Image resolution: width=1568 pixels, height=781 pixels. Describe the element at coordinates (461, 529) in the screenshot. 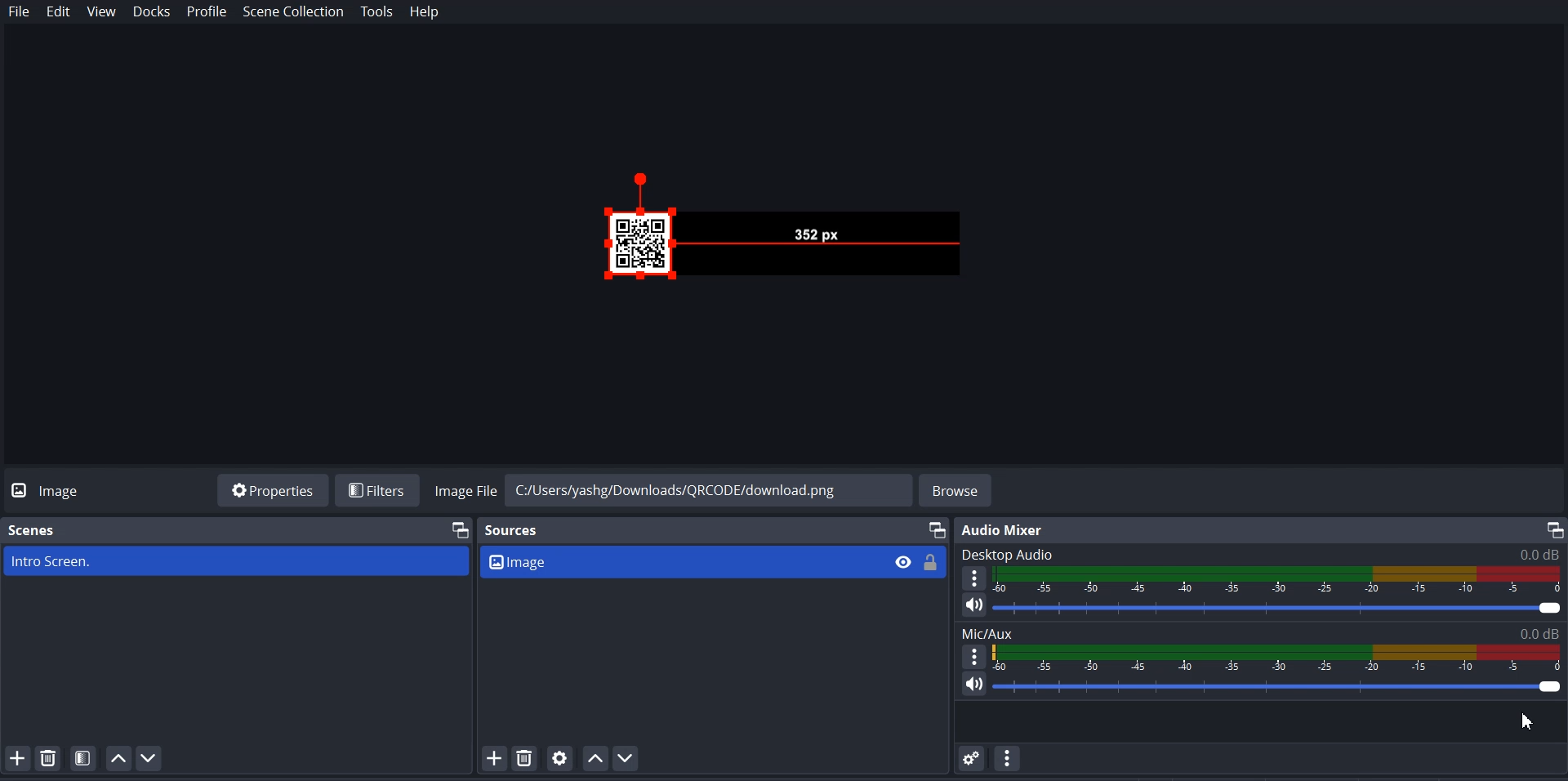

I see `Maximize` at that location.